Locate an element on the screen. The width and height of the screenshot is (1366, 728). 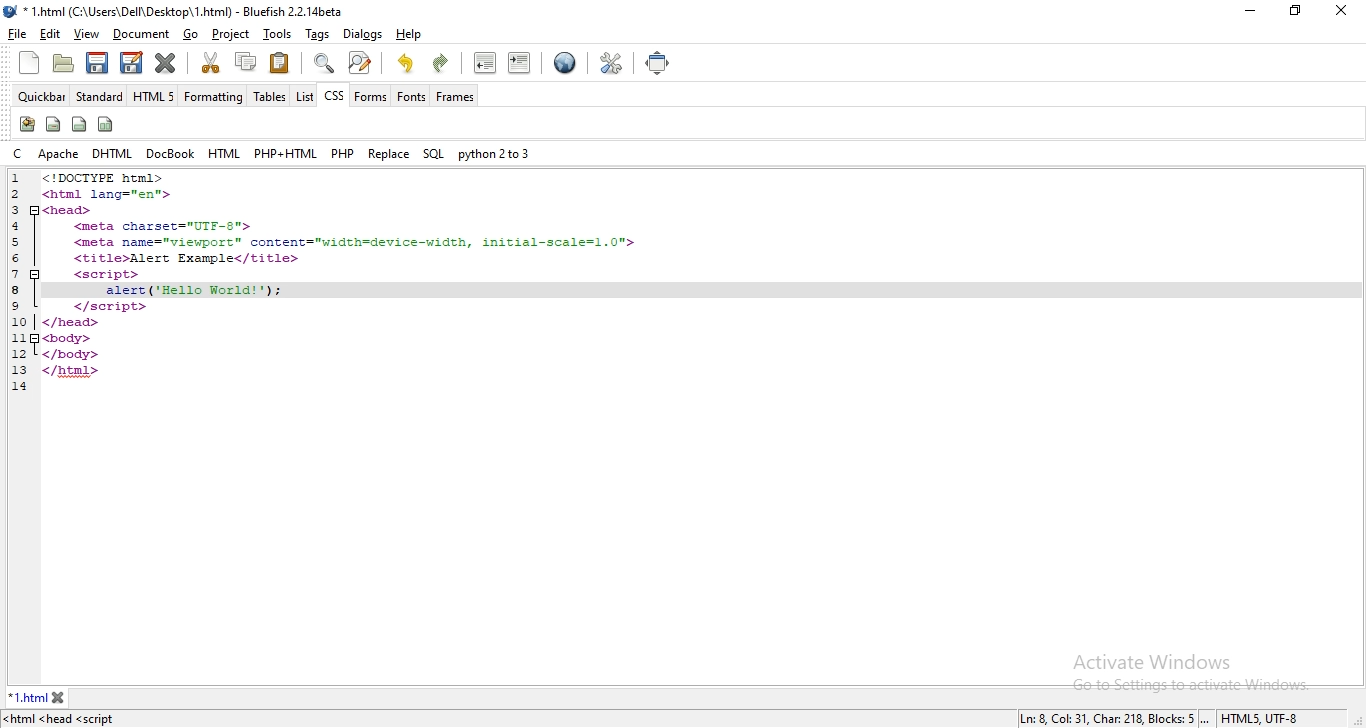
close is located at coordinates (59, 698).